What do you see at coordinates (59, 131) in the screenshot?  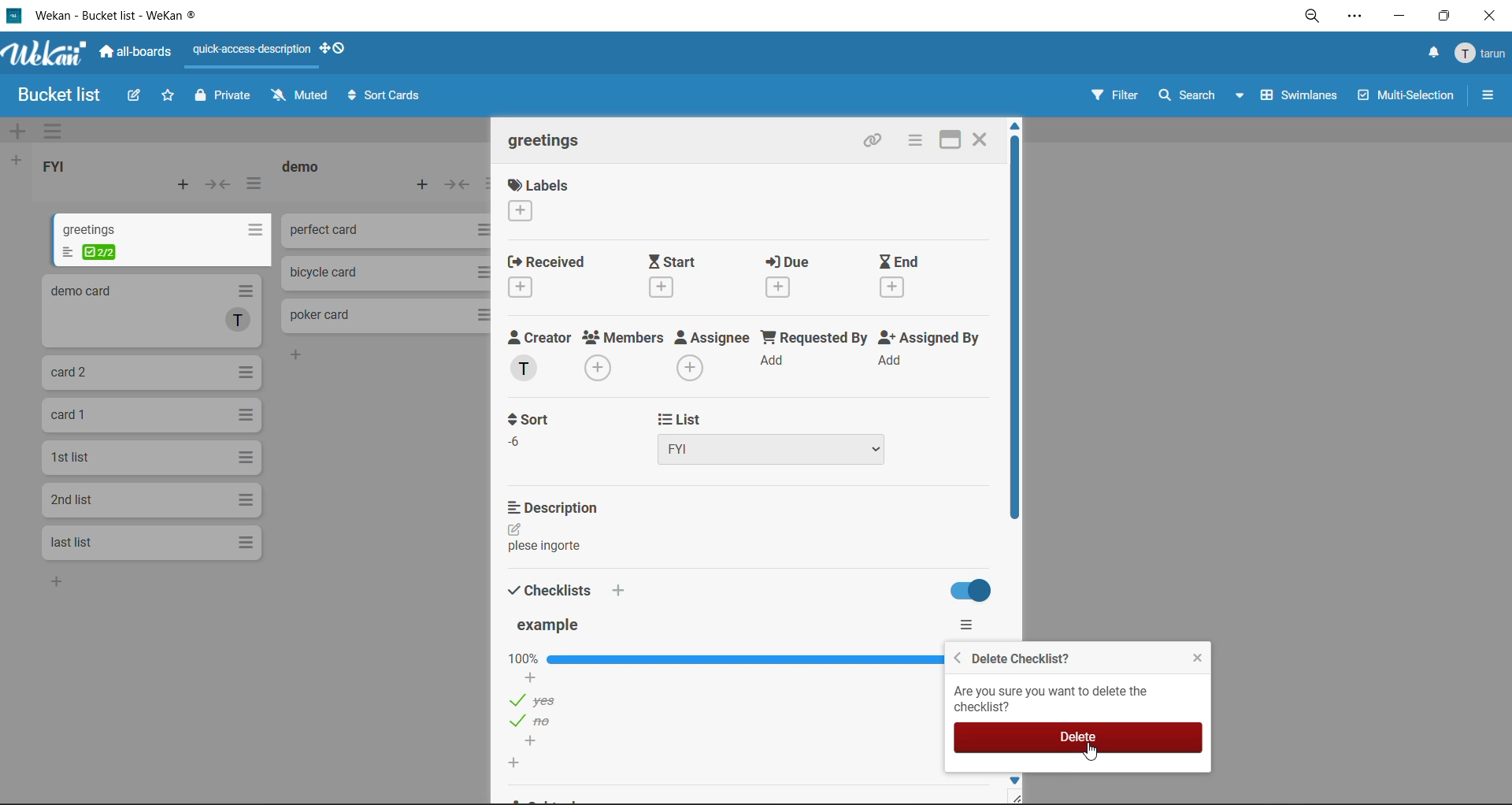 I see `swimlane actions` at bounding box center [59, 131].